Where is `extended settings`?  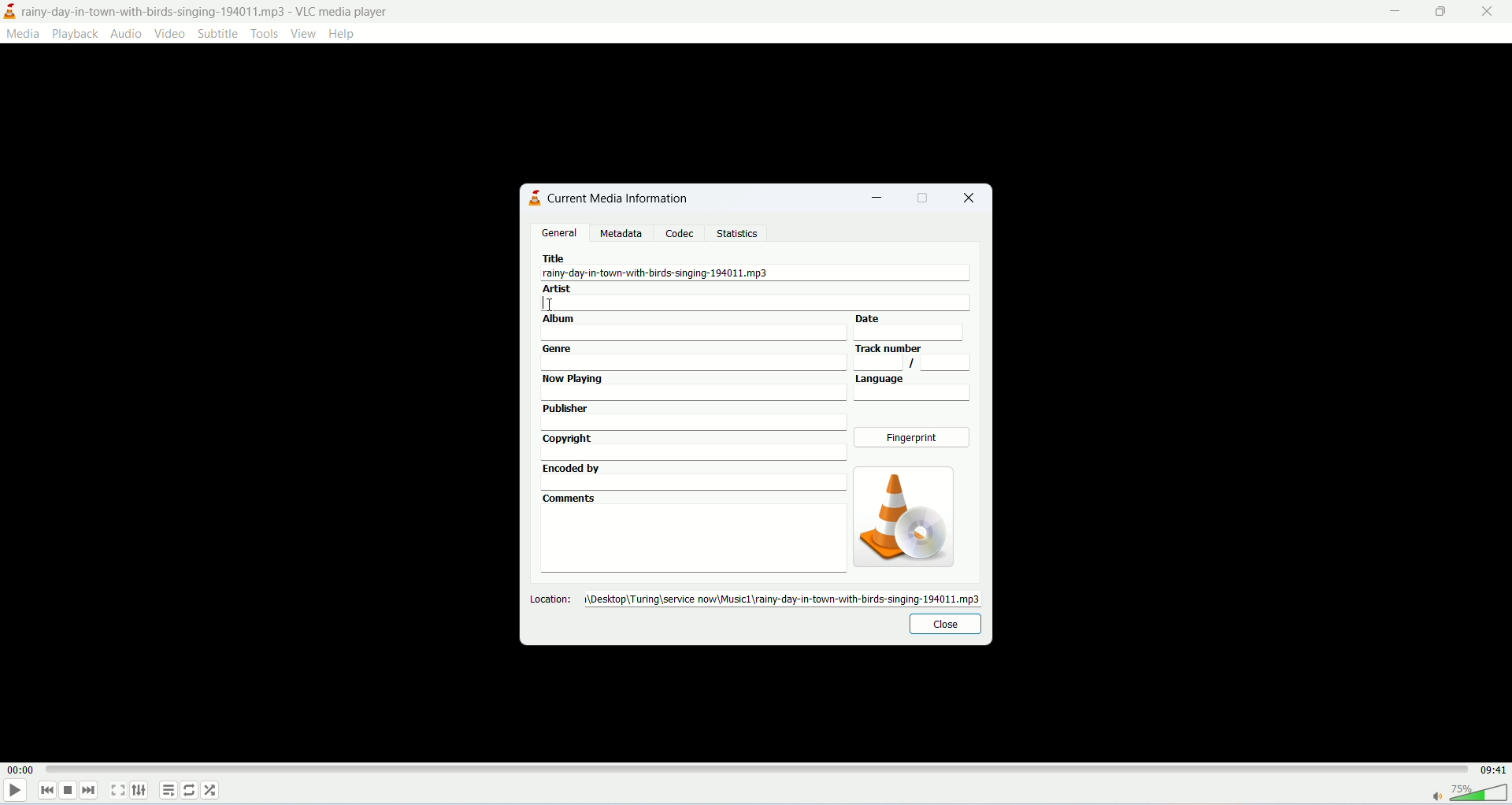 extended settings is located at coordinates (144, 789).